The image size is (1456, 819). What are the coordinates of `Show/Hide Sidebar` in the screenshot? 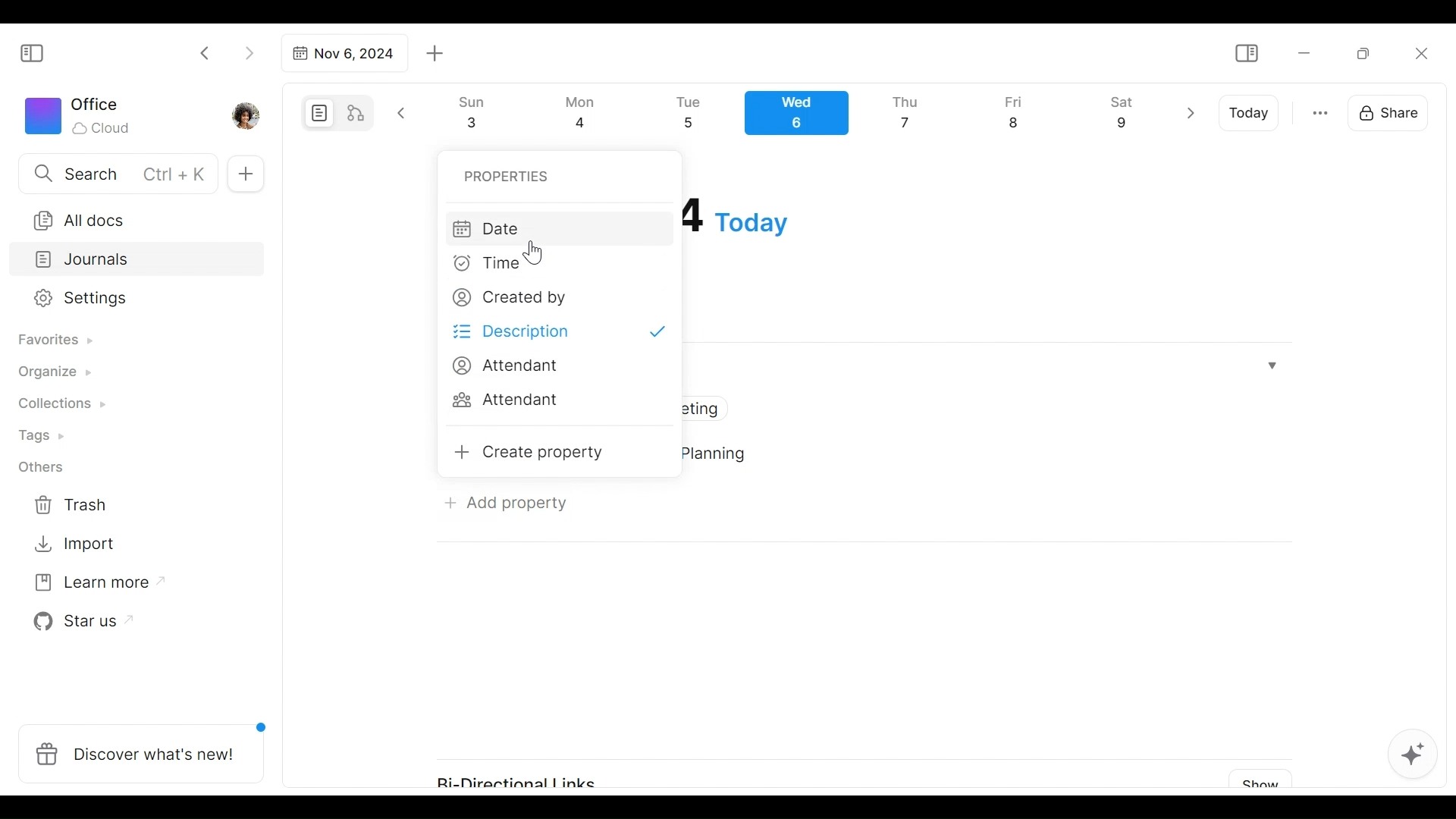 It's located at (1246, 54).